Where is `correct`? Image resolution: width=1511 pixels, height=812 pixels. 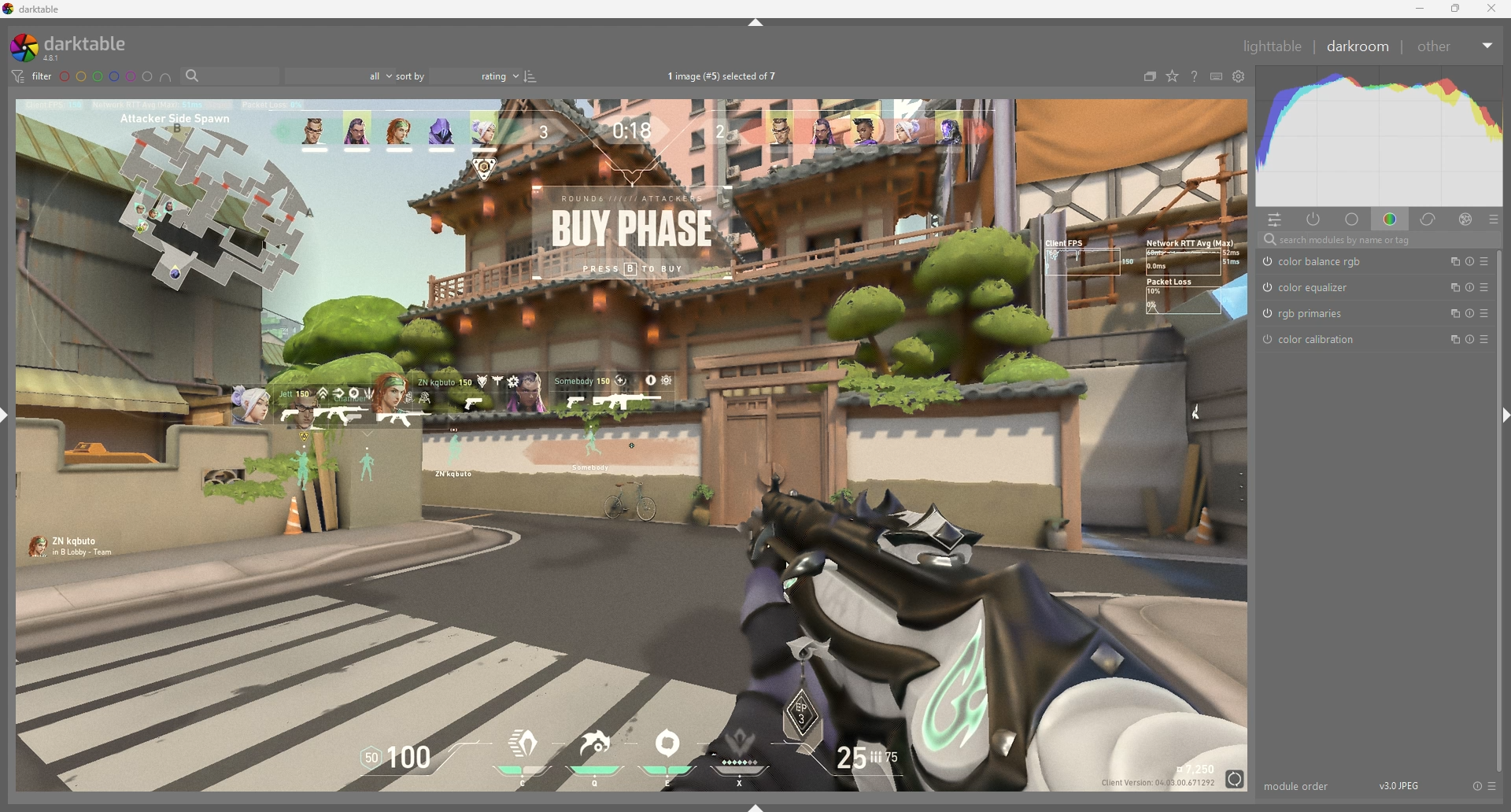
correct is located at coordinates (1430, 219).